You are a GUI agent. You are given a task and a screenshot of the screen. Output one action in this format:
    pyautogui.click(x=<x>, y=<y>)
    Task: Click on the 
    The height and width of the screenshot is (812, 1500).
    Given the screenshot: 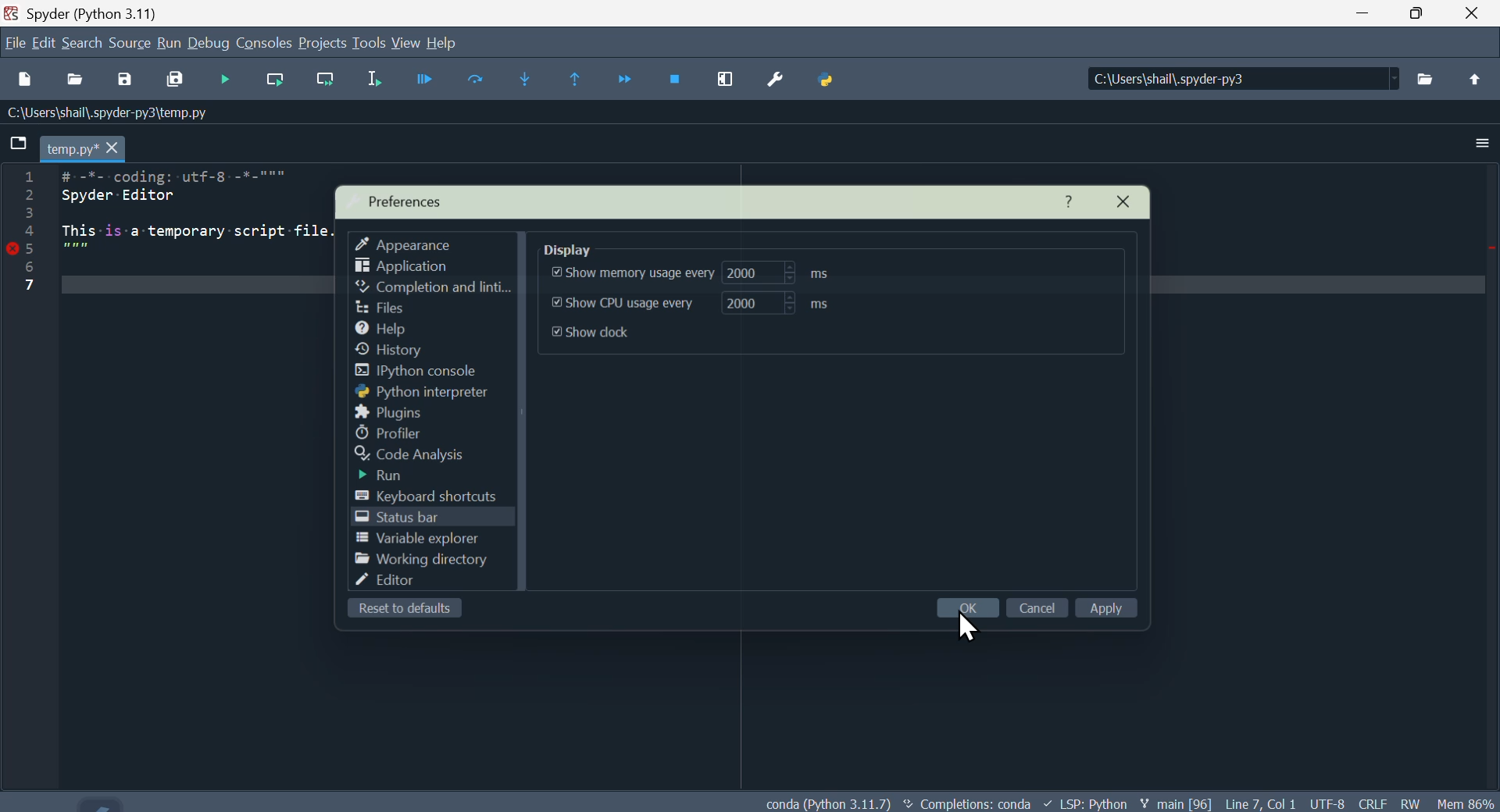 What is the action you would take?
    pyautogui.click(x=45, y=44)
    